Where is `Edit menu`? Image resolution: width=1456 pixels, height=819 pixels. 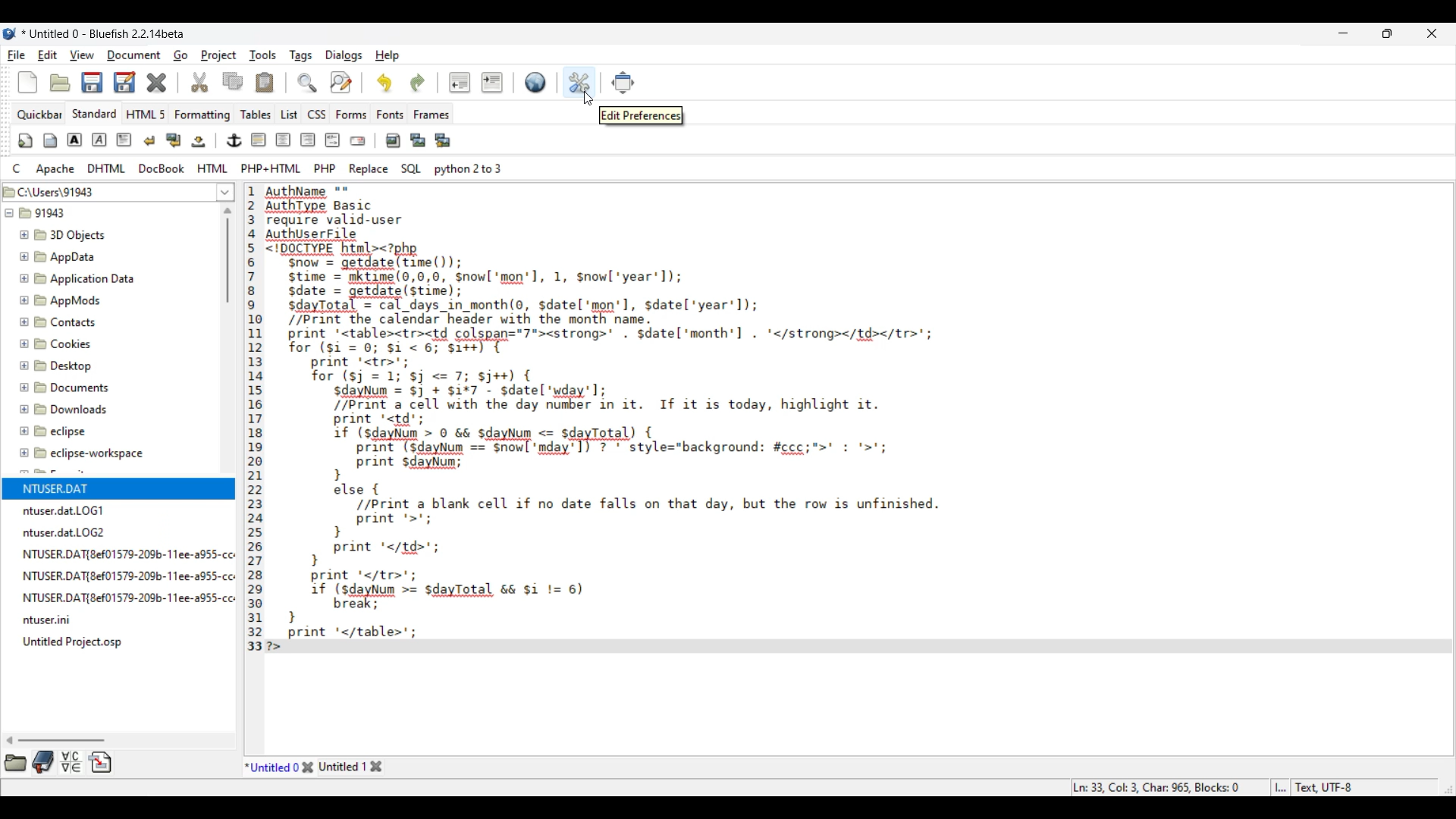
Edit menu is located at coordinates (47, 55).